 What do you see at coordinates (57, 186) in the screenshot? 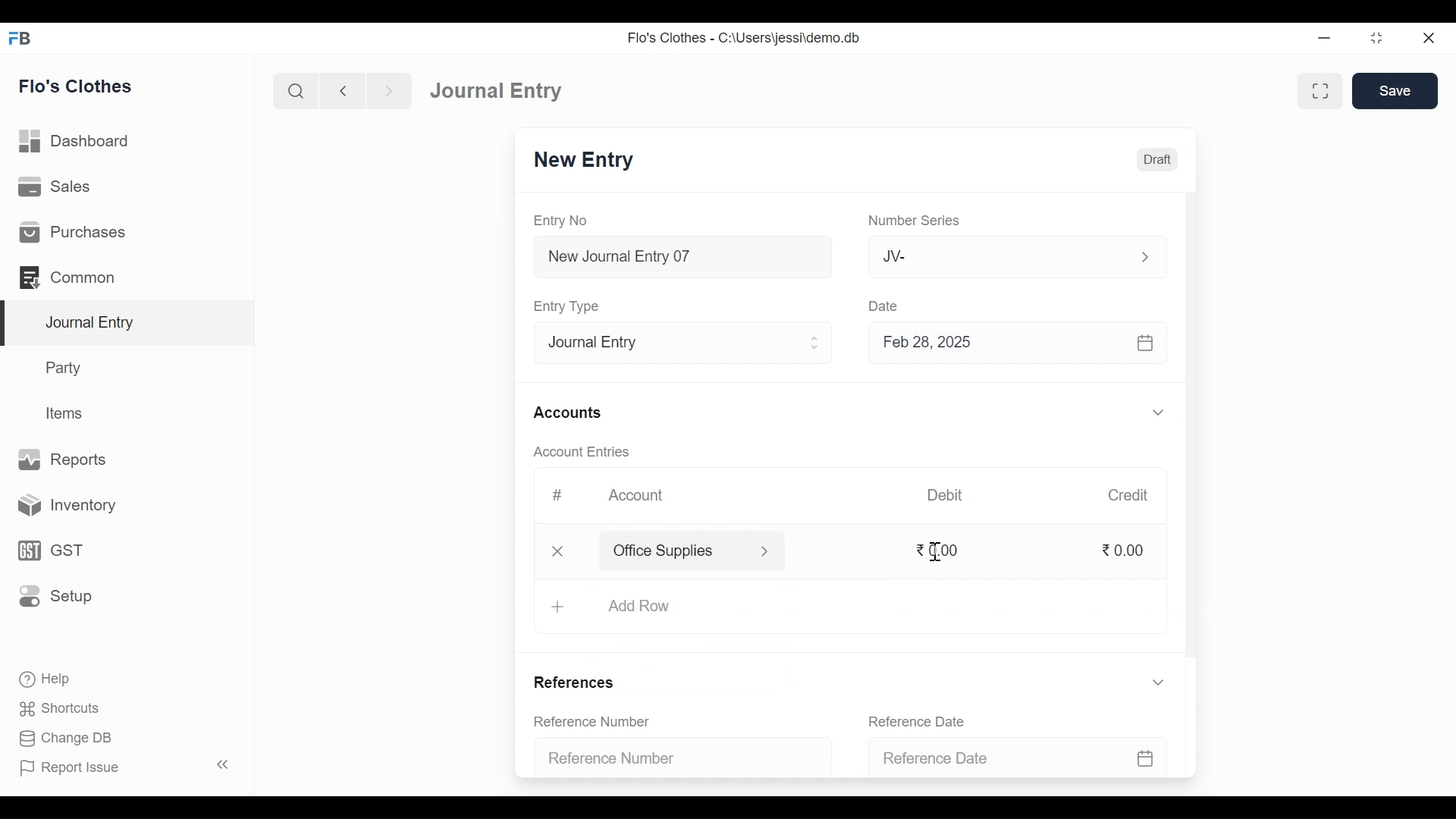
I see `Sales` at bounding box center [57, 186].